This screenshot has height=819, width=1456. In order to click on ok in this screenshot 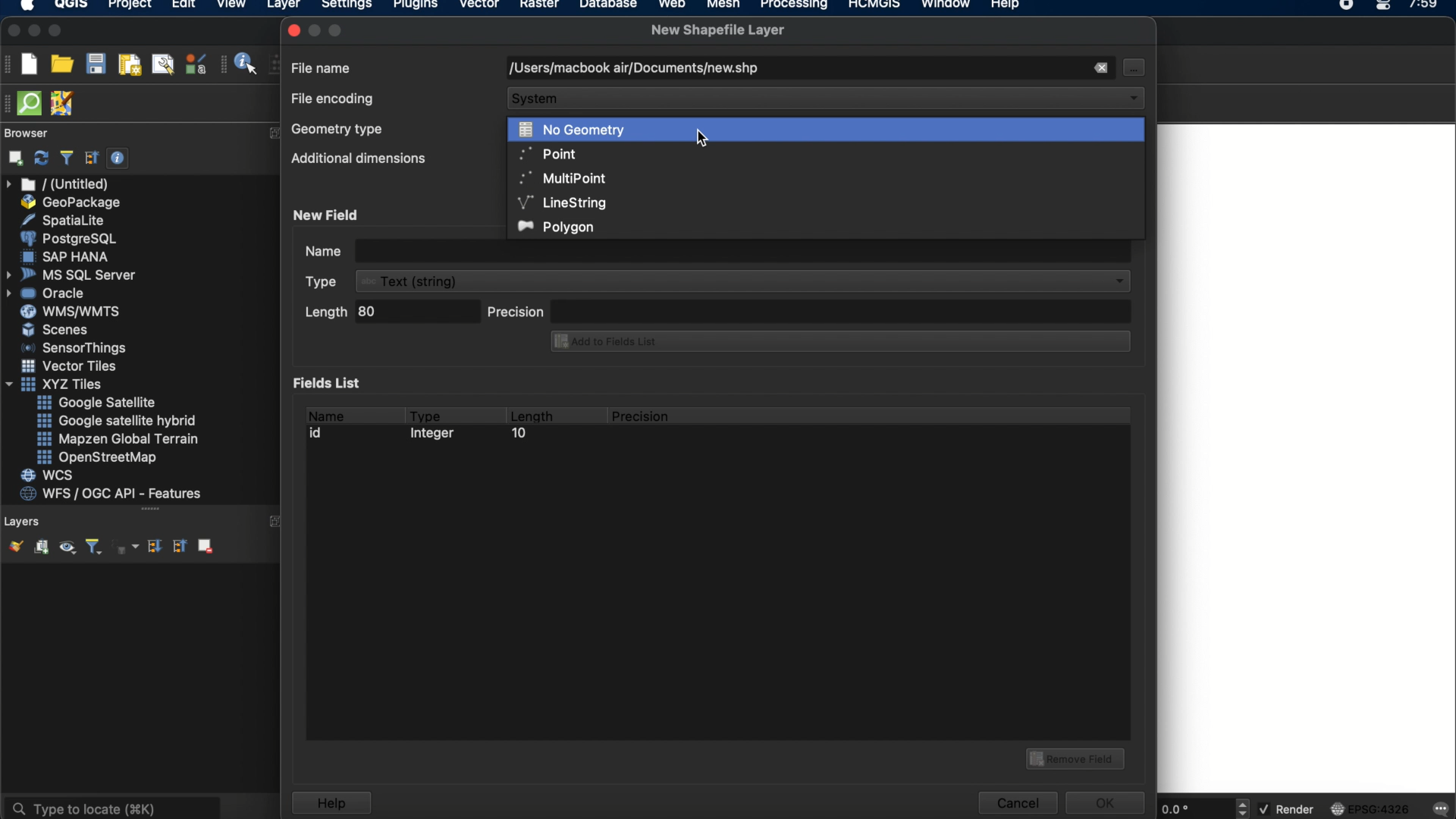, I will do `click(1107, 801)`.